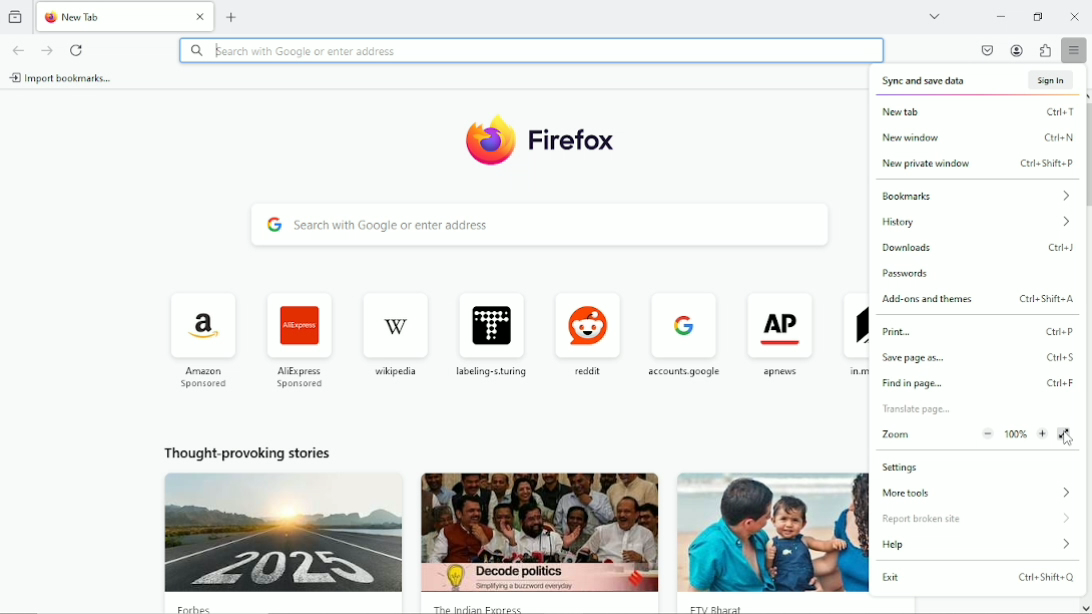  Describe the element at coordinates (203, 608) in the screenshot. I see `forbes` at that location.